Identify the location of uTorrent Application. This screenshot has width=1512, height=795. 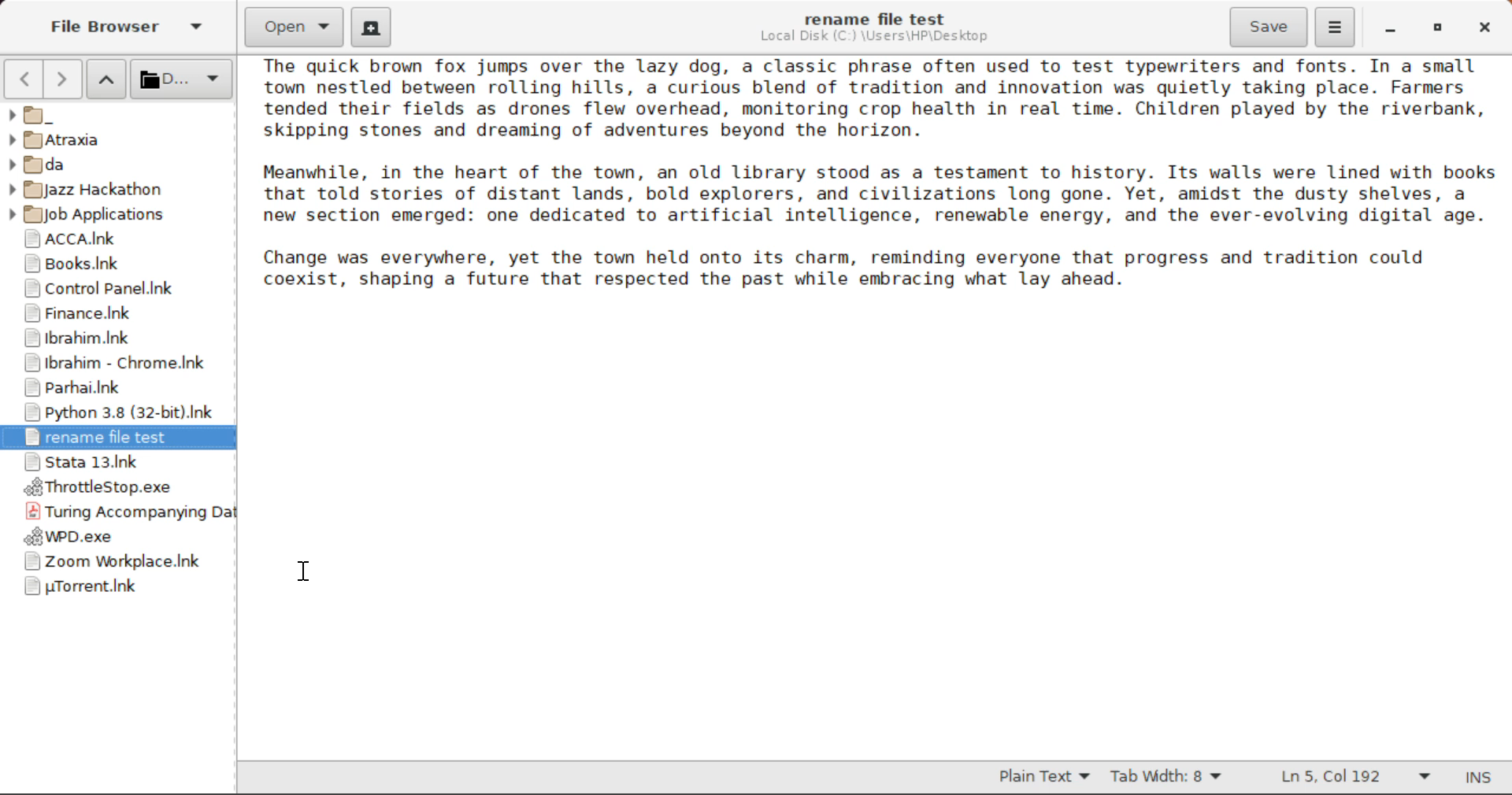
(113, 590).